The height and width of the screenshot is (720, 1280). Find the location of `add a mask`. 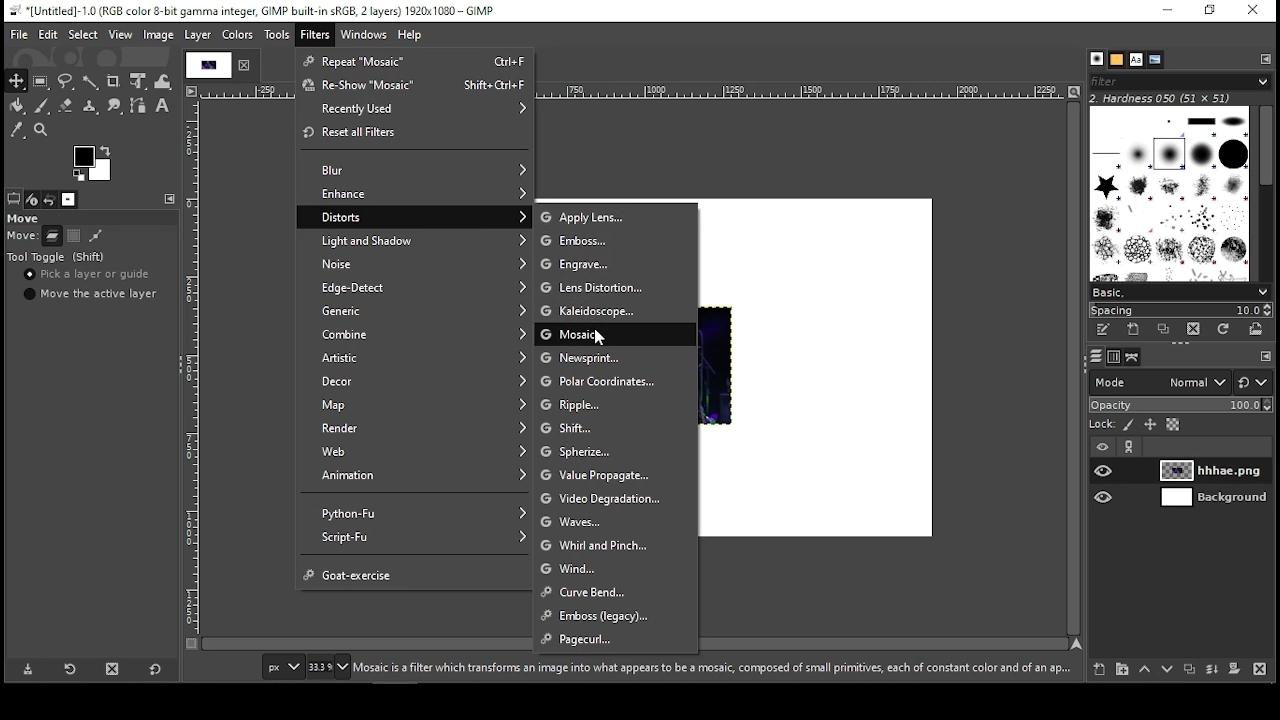

add a mask is located at coordinates (1236, 672).